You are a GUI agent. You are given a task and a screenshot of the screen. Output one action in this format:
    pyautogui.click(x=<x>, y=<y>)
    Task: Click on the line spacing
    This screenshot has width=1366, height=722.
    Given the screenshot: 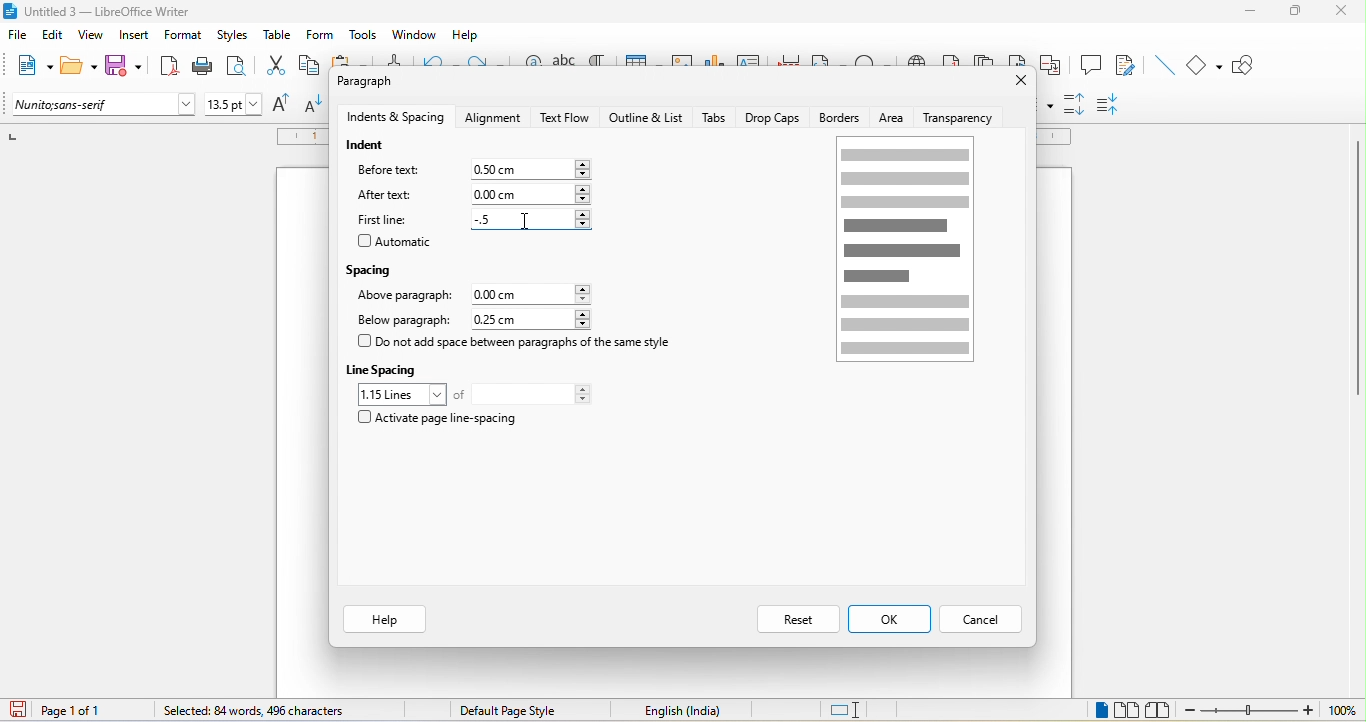 What is the action you would take?
    pyautogui.click(x=381, y=370)
    